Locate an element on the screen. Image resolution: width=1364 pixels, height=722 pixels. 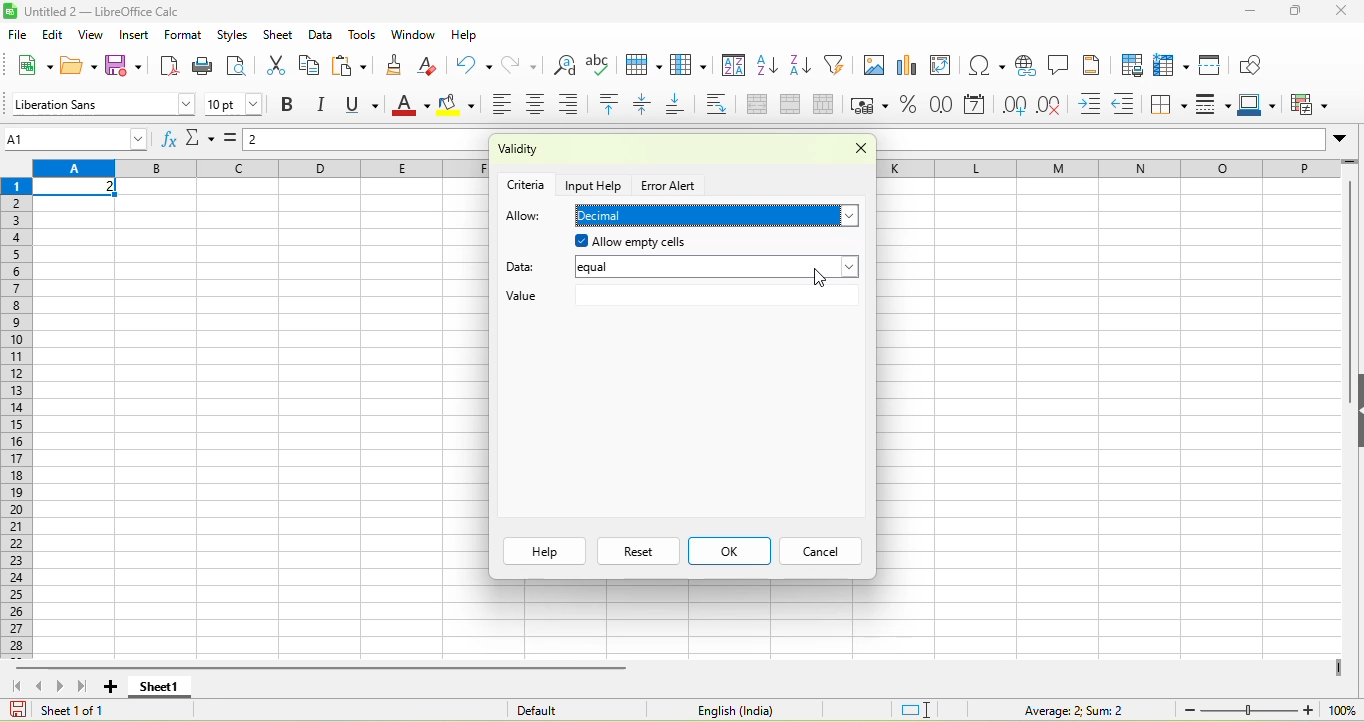
cut is located at coordinates (273, 67).